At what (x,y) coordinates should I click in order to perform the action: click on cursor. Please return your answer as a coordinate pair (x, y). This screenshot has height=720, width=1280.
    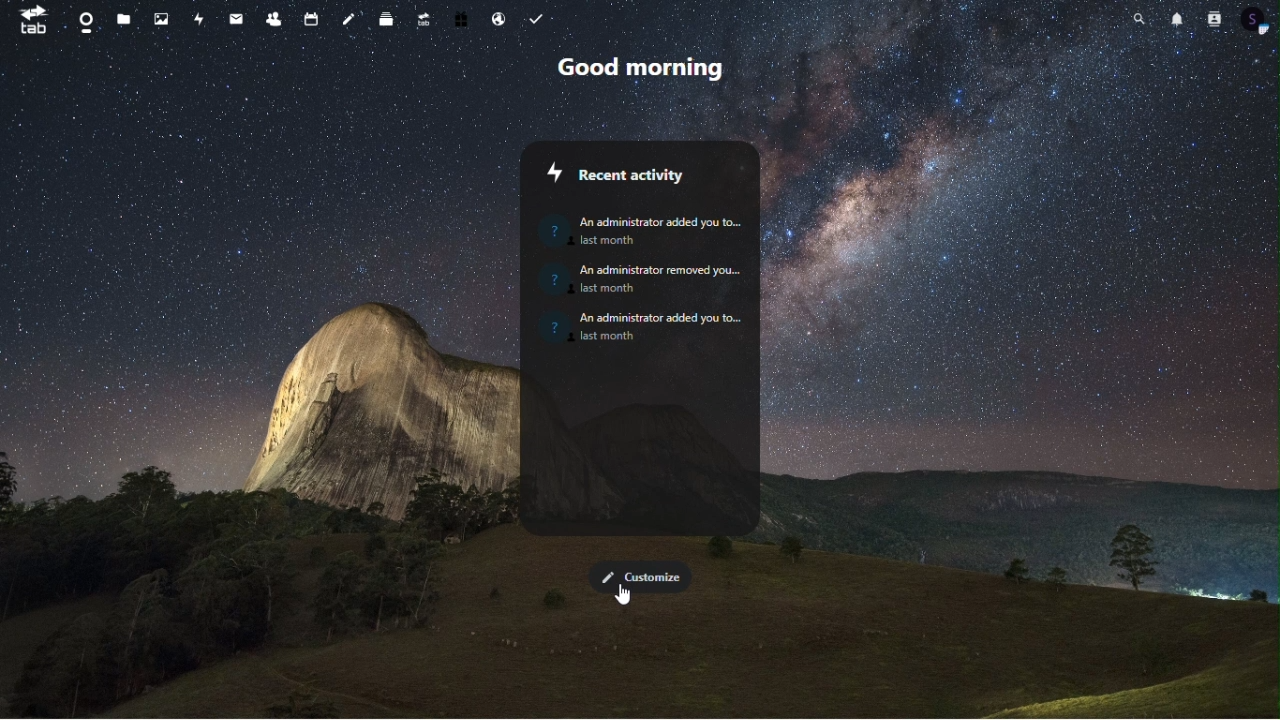
    Looking at the image, I should click on (625, 595).